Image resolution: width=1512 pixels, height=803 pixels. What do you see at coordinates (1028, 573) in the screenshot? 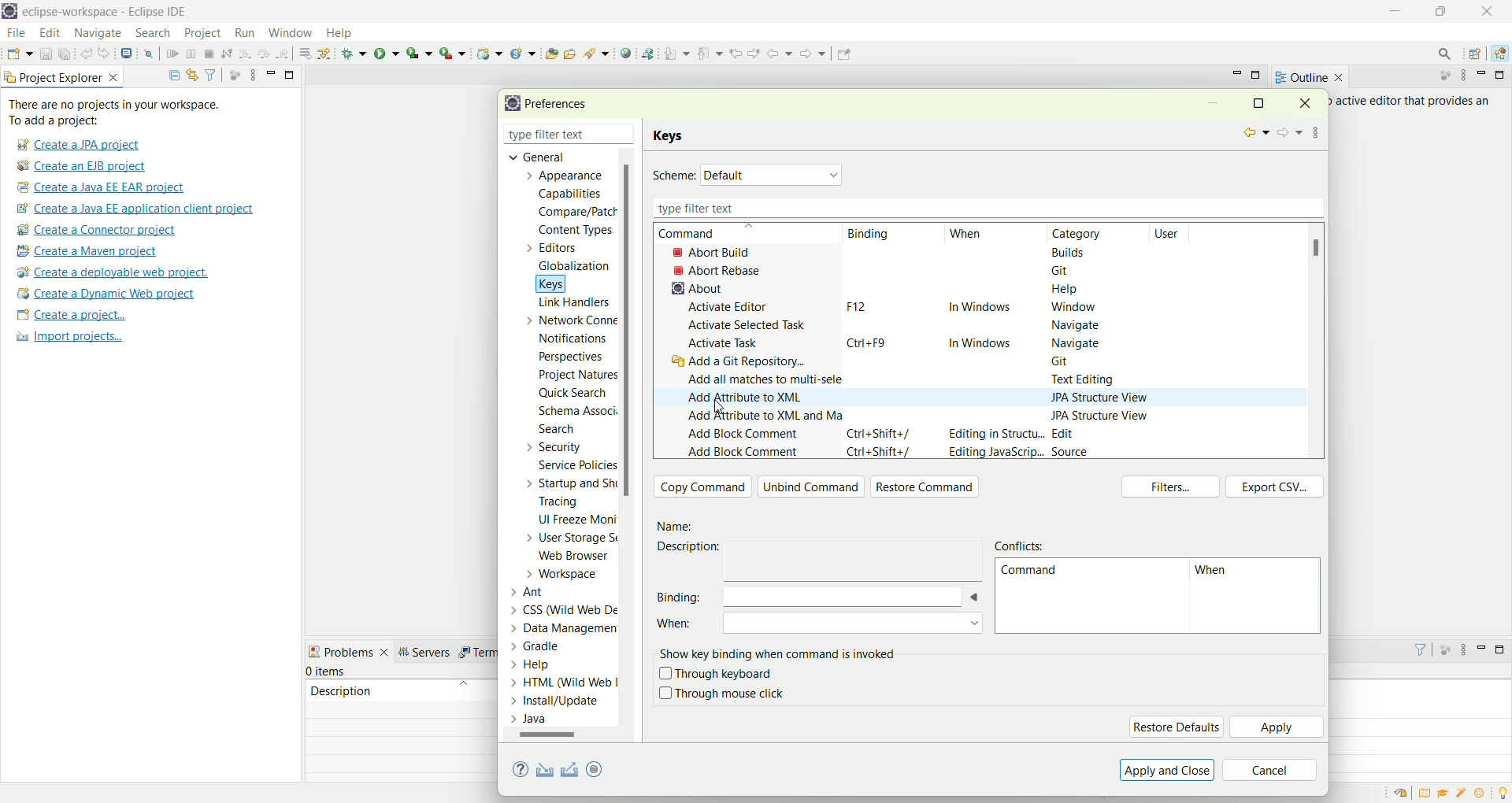
I see `command` at bounding box center [1028, 573].